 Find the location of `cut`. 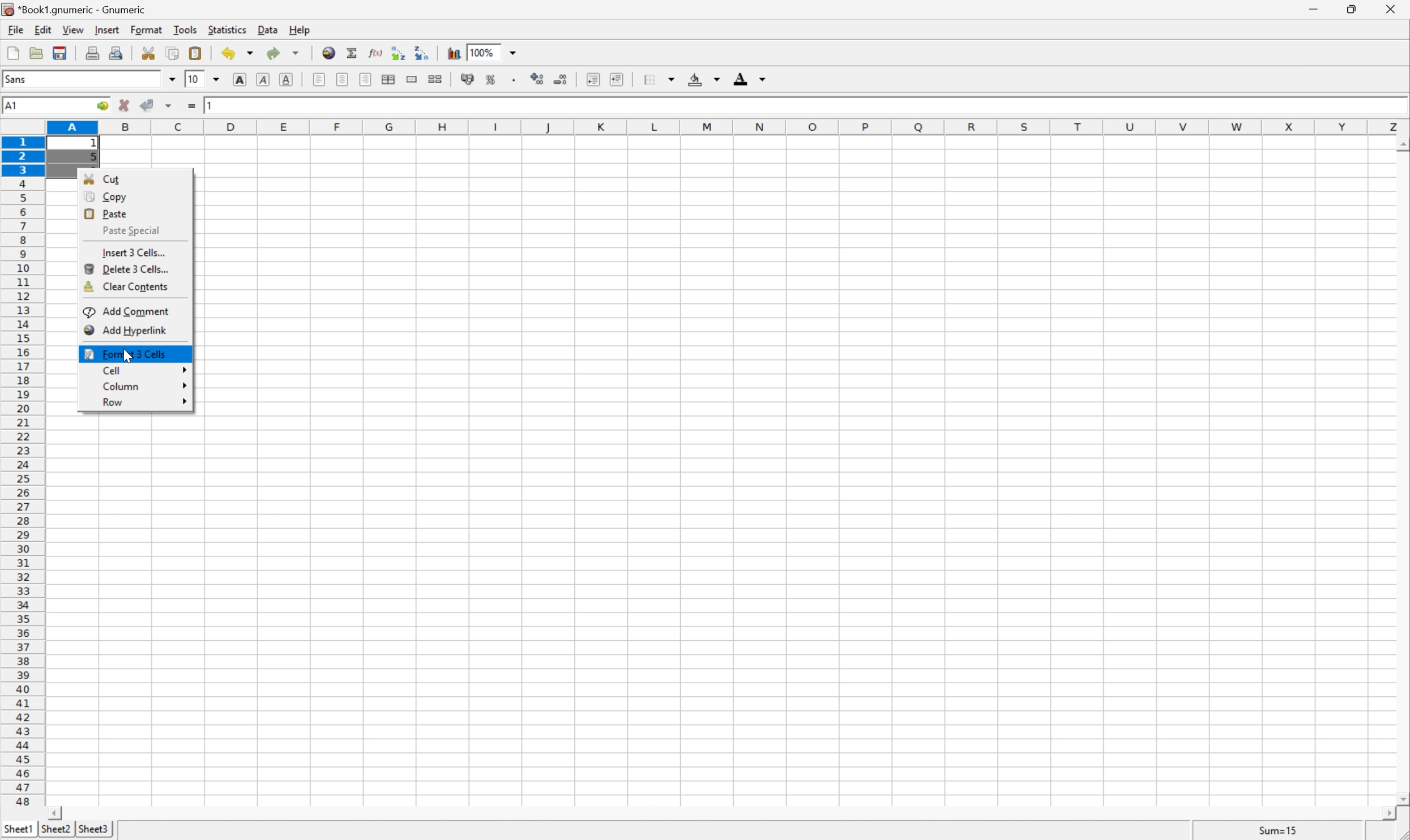

cut is located at coordinates (148, 52).